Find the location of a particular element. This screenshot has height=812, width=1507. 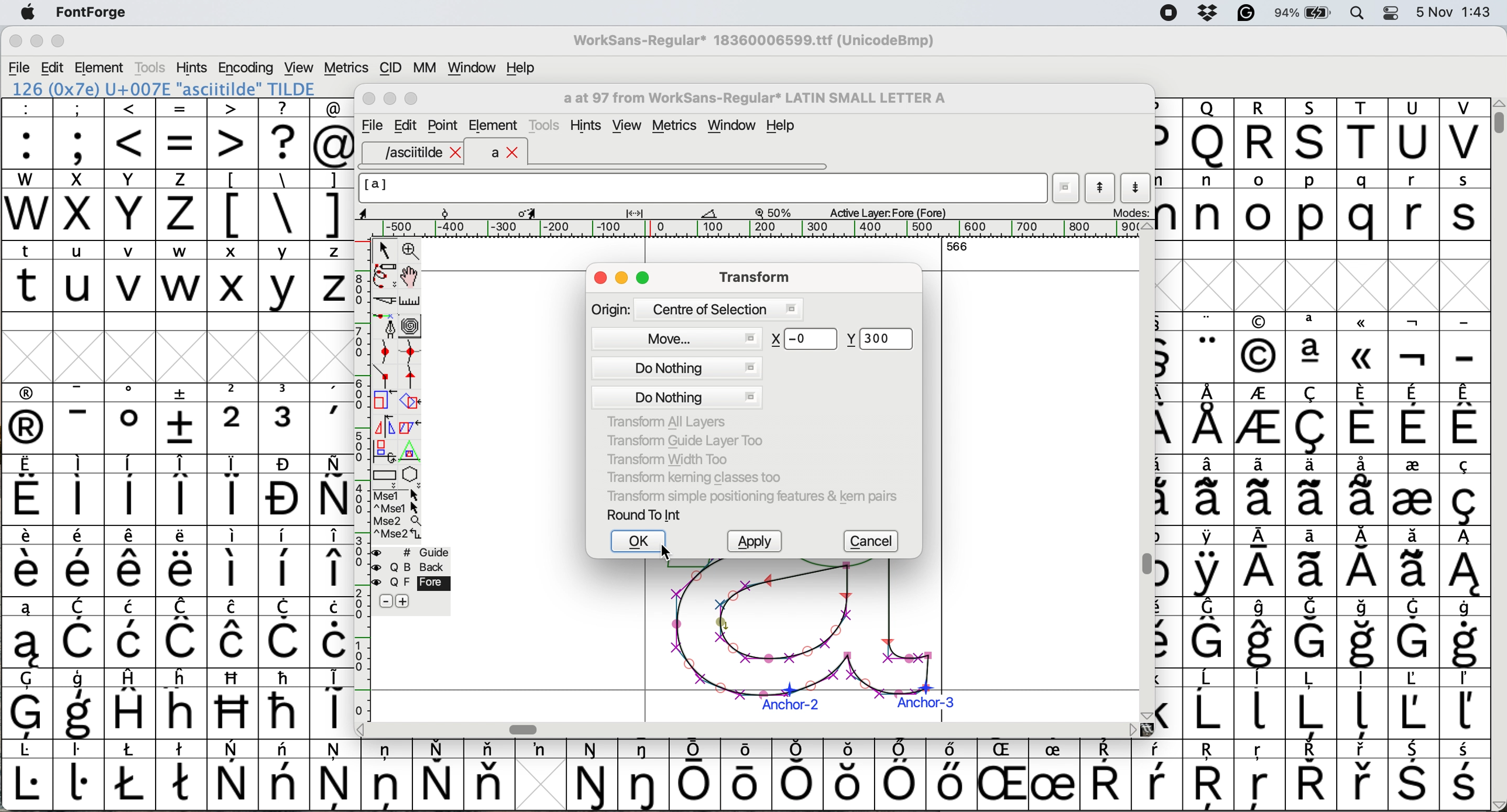

symbol is located at coordinates (949, 774).